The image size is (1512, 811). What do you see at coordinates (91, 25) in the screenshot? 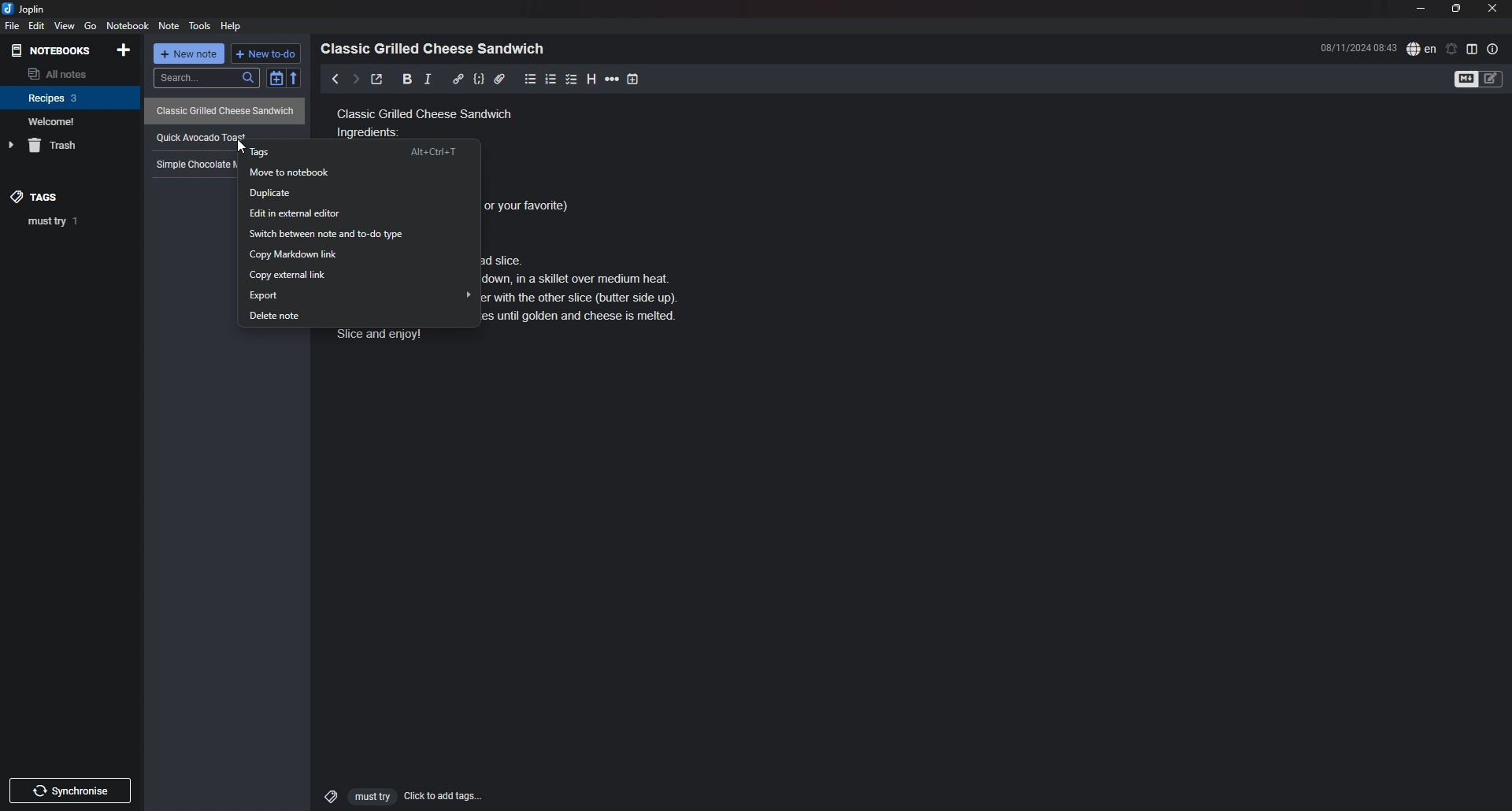
I see `go` at bounding box center [91, 25].